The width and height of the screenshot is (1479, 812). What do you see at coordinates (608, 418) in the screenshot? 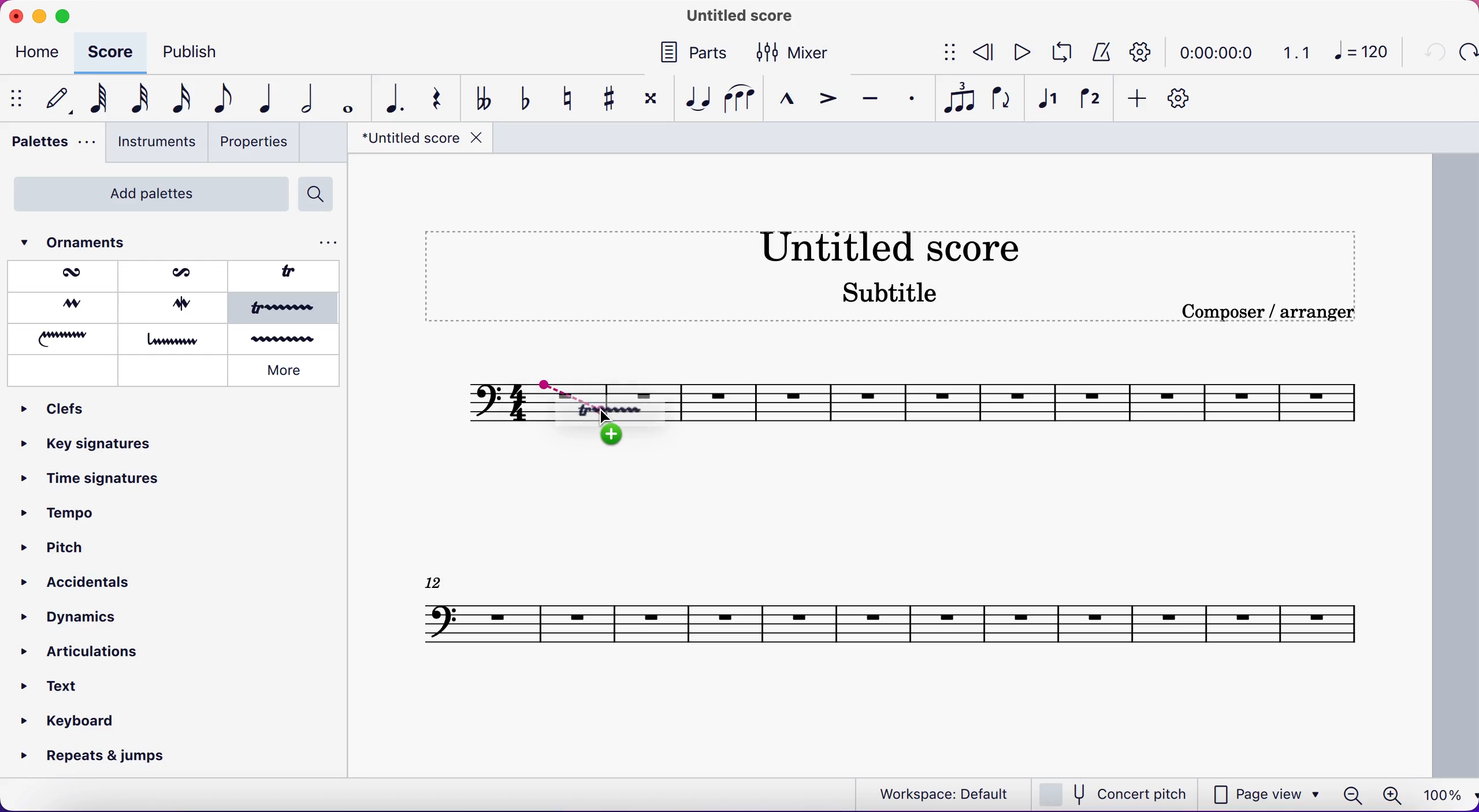
I see `cursor` at bounding box center [608, 418].